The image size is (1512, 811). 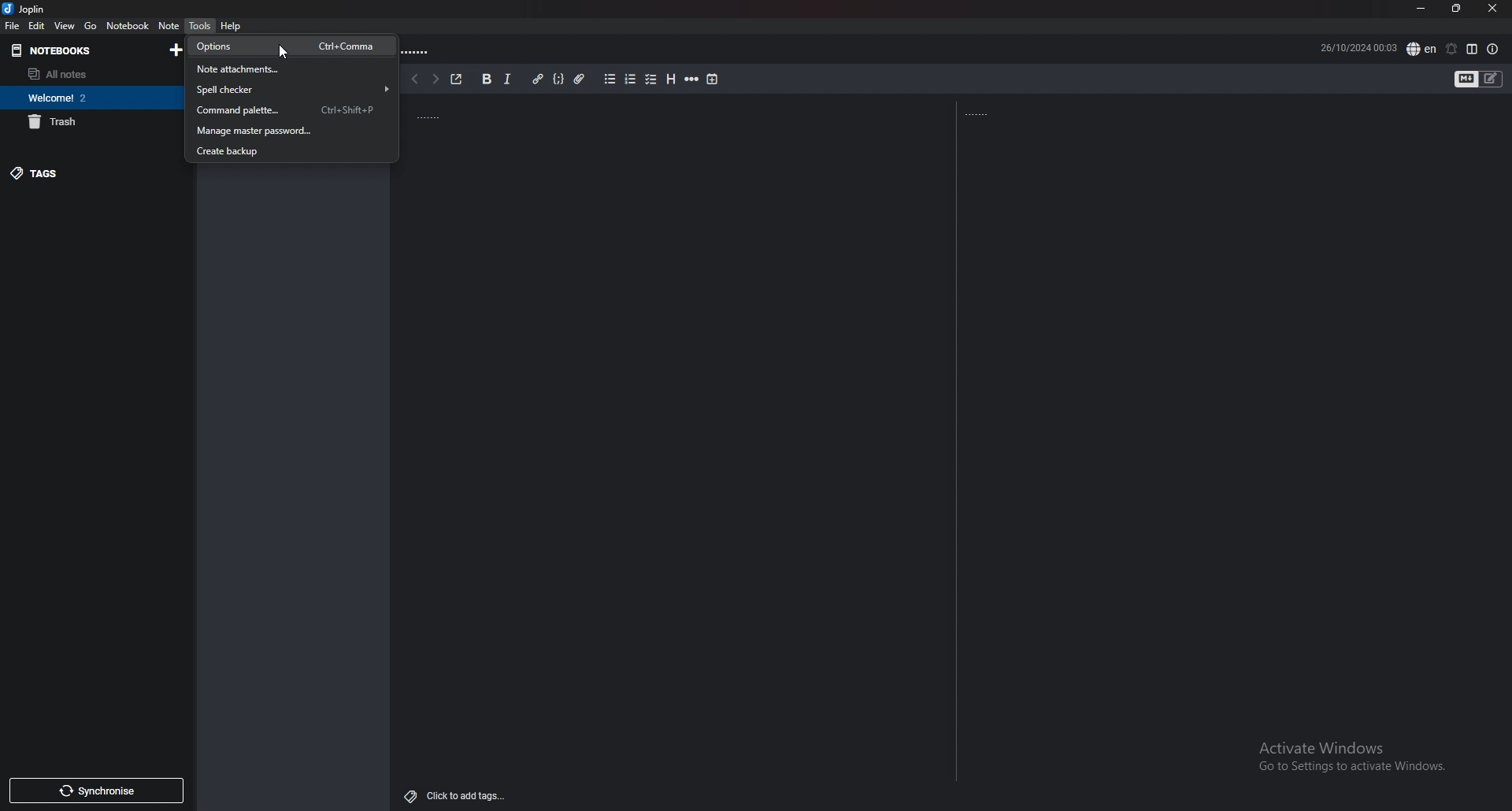 I want to click on numbered list, so click(x=631, y=80).